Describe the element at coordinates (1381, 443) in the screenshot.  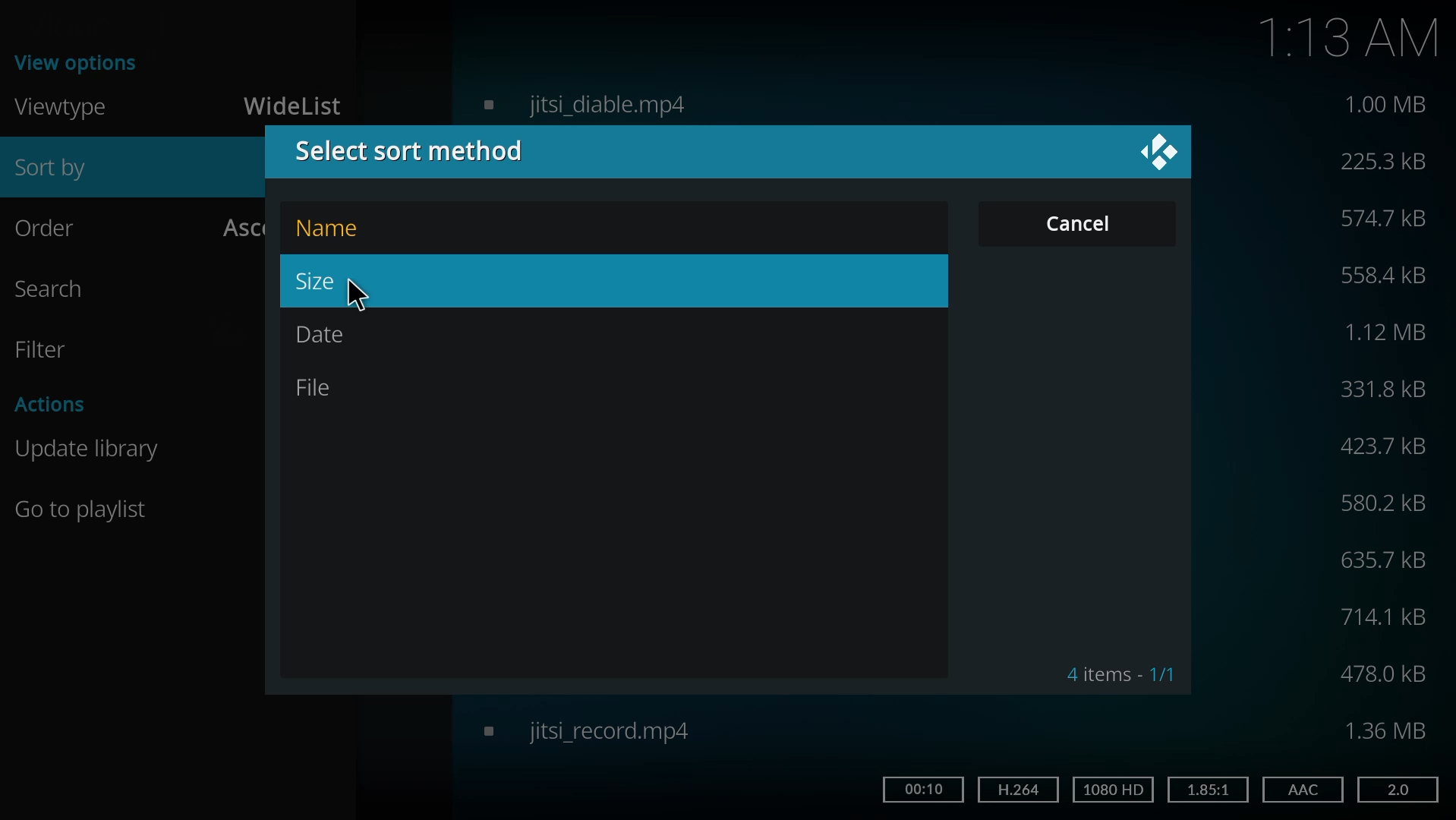
I see `size` at that location.